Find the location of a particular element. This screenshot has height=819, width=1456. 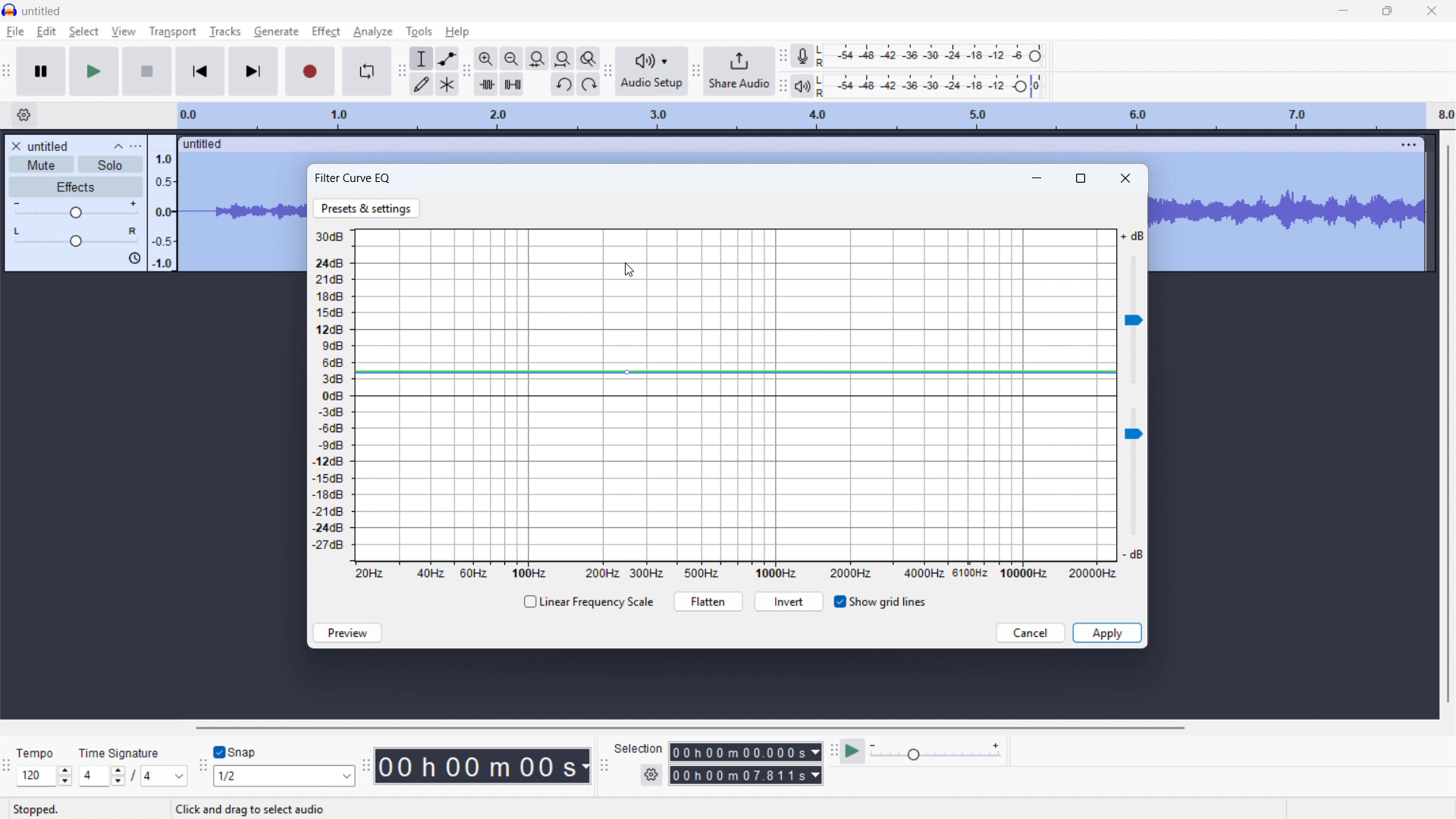

project title is located at coordinates (42, 11).